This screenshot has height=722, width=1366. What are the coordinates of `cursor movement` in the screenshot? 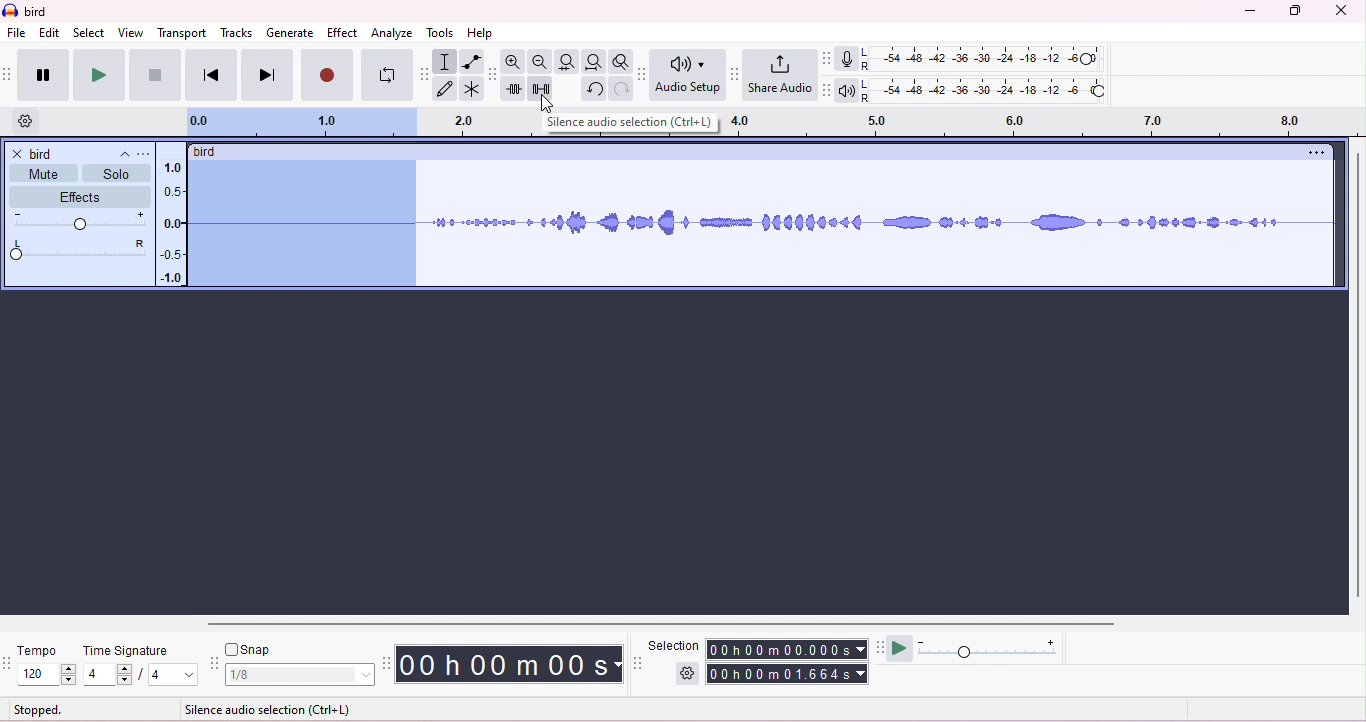 It's located at (550, 102).